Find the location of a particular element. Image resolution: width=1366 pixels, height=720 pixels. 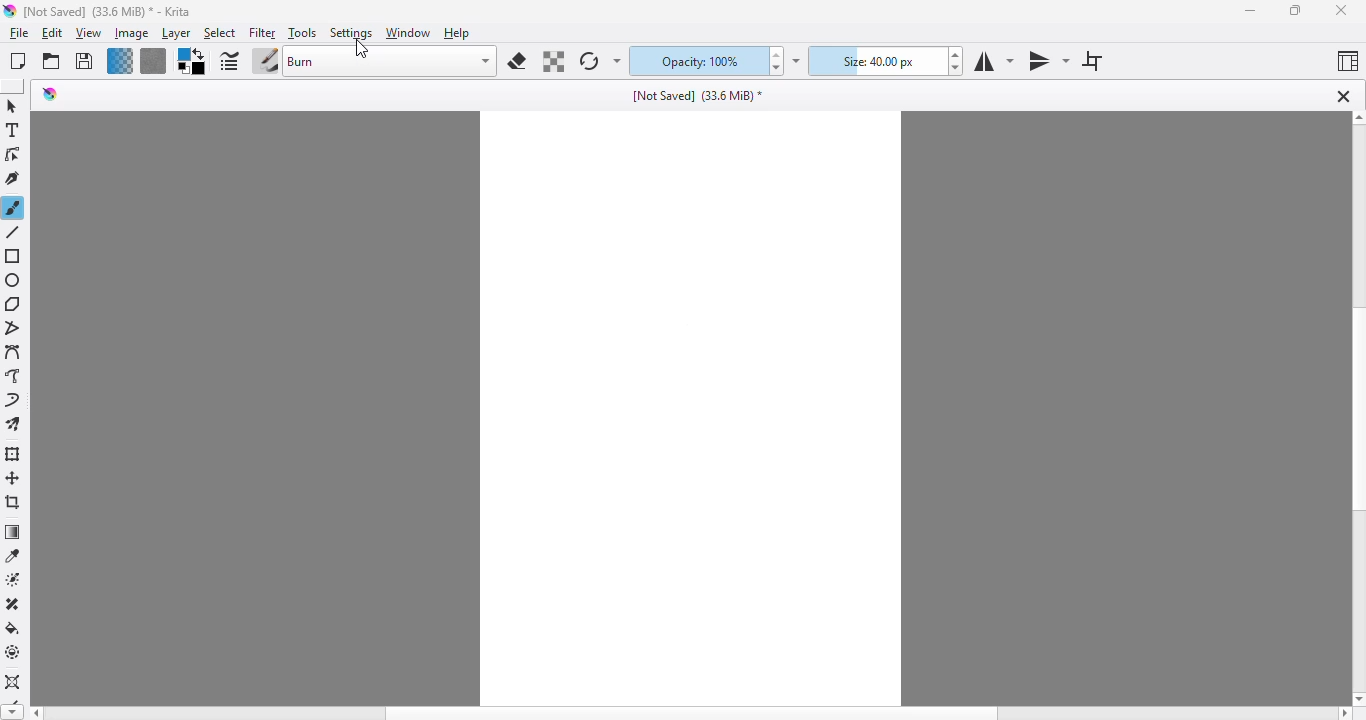

minimize is located at coordinates (1250, 10).